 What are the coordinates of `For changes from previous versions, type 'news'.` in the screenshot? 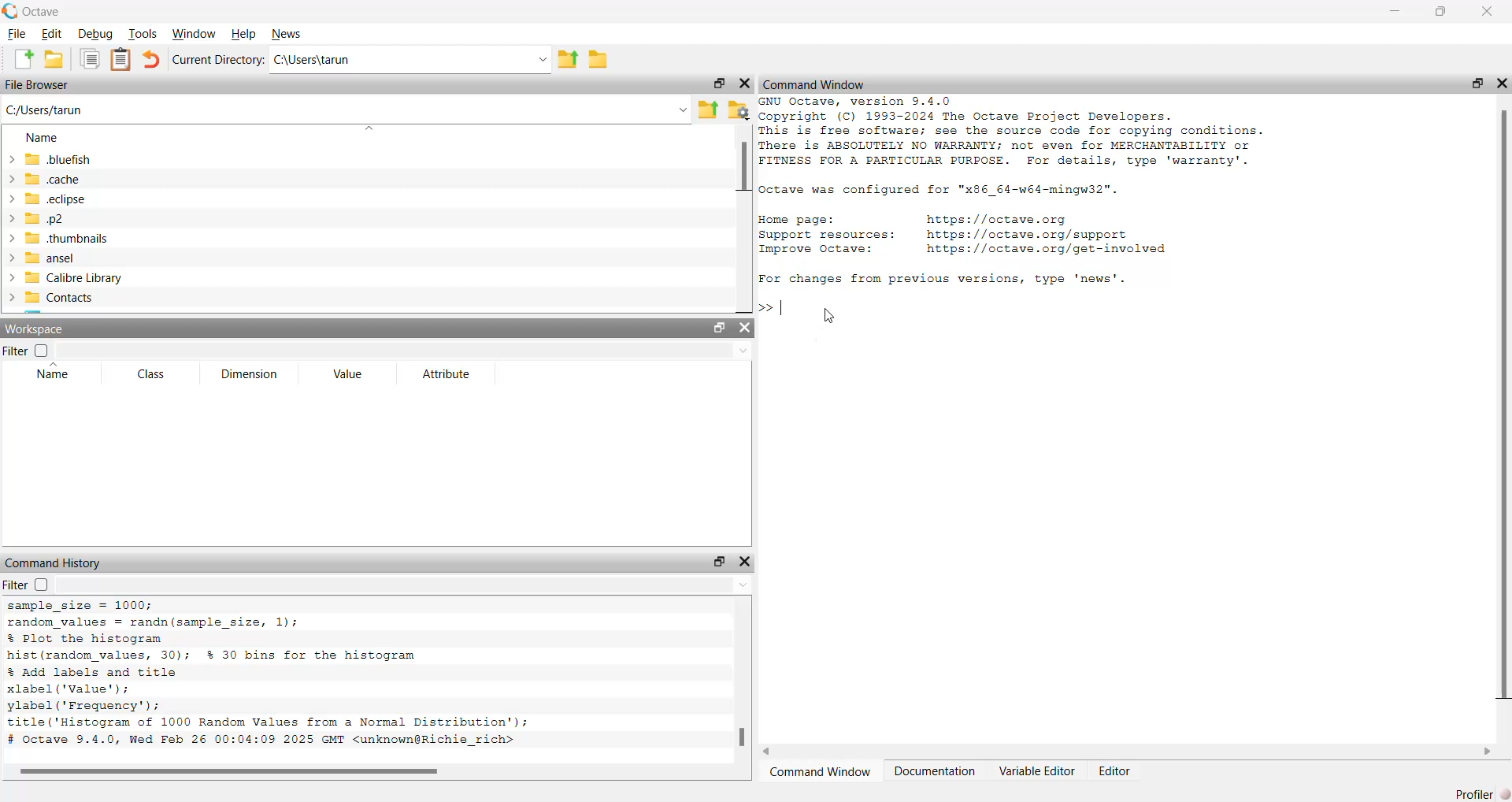 It's located at (942, 279).